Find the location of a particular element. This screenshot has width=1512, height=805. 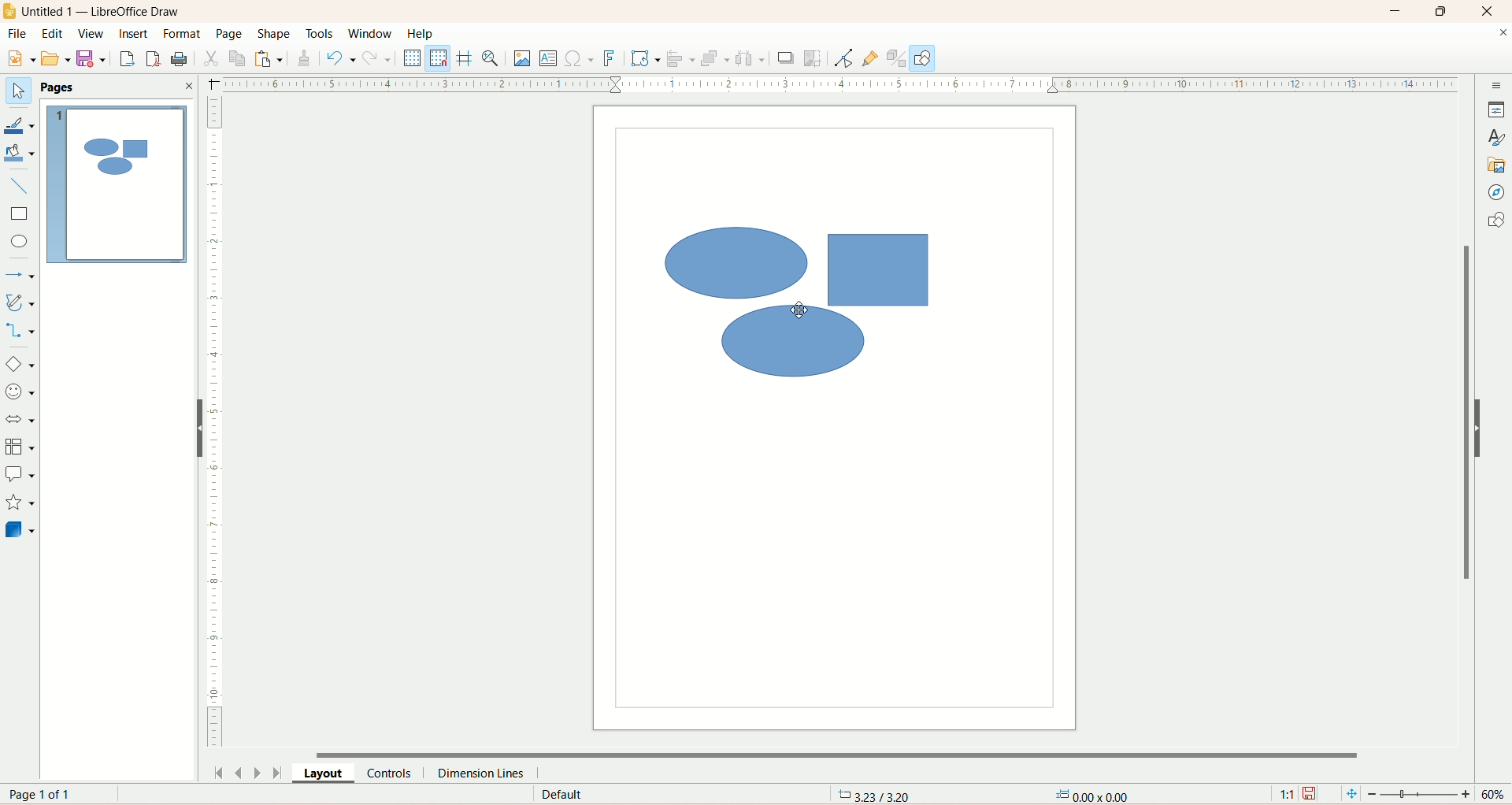

line color is located at coordinates (20, 124).